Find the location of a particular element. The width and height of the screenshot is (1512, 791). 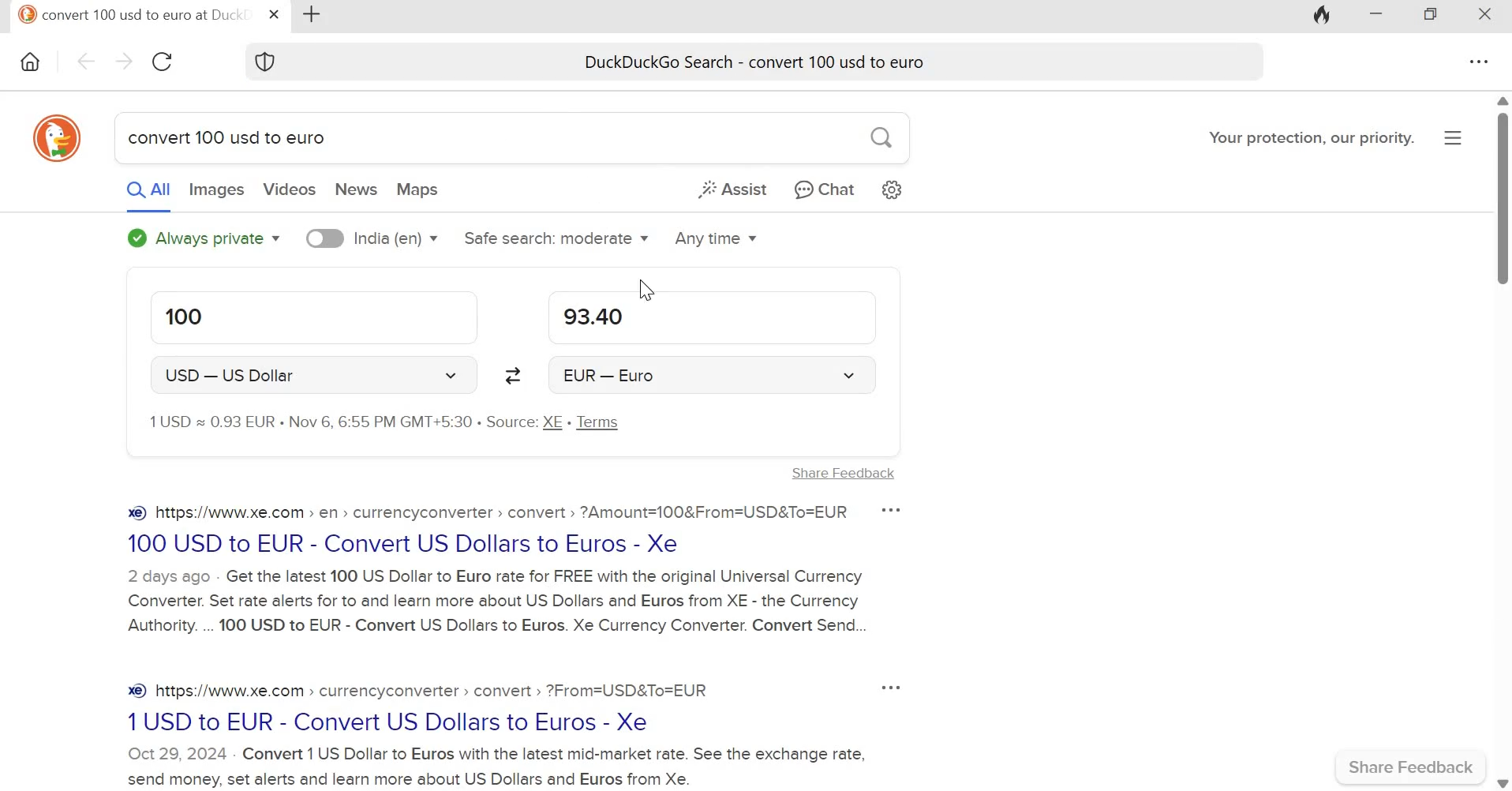

Fire icon is located at coordinates (1319, 17).